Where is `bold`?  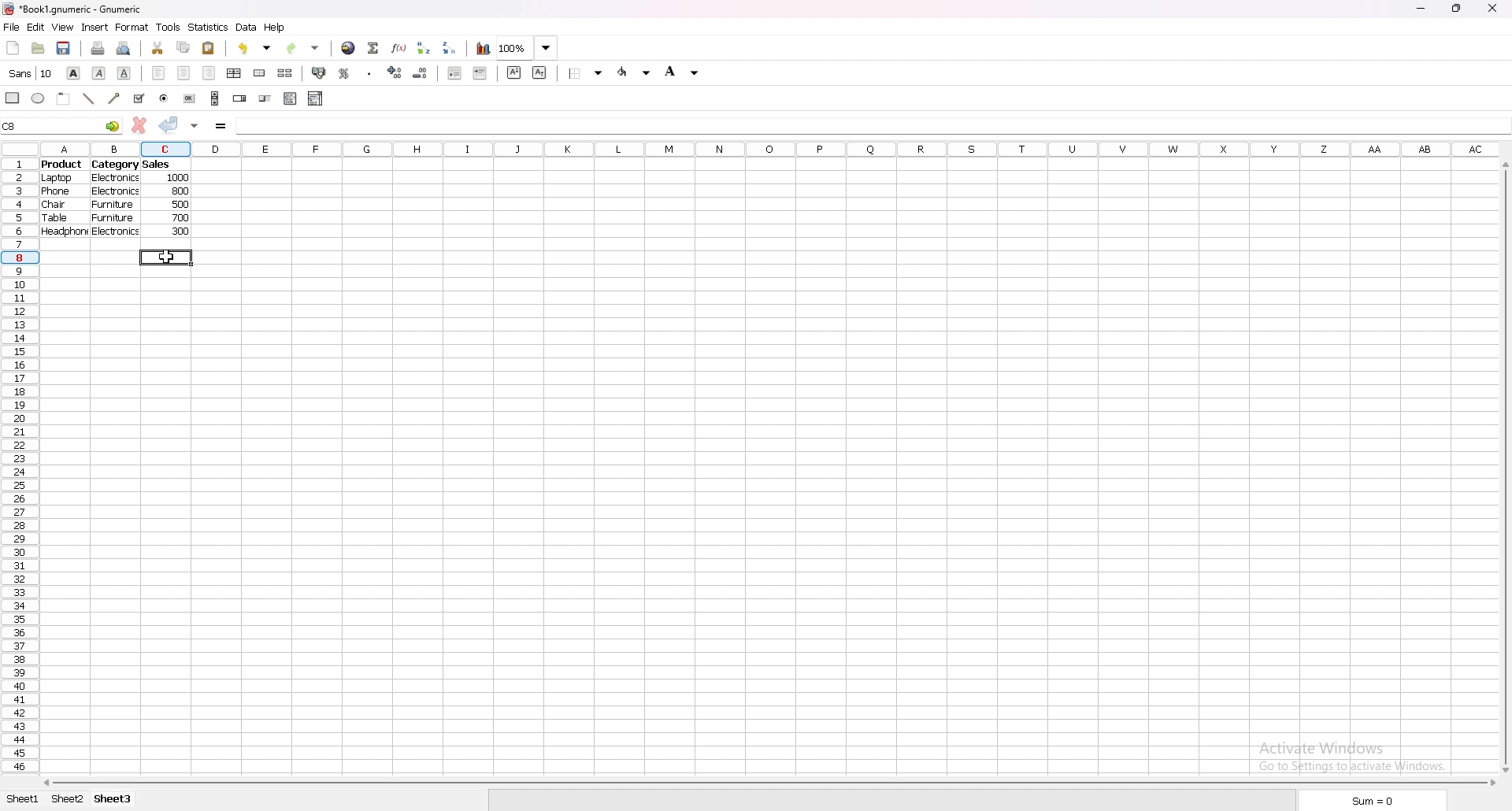 bold is located at coordinates (76, 73).